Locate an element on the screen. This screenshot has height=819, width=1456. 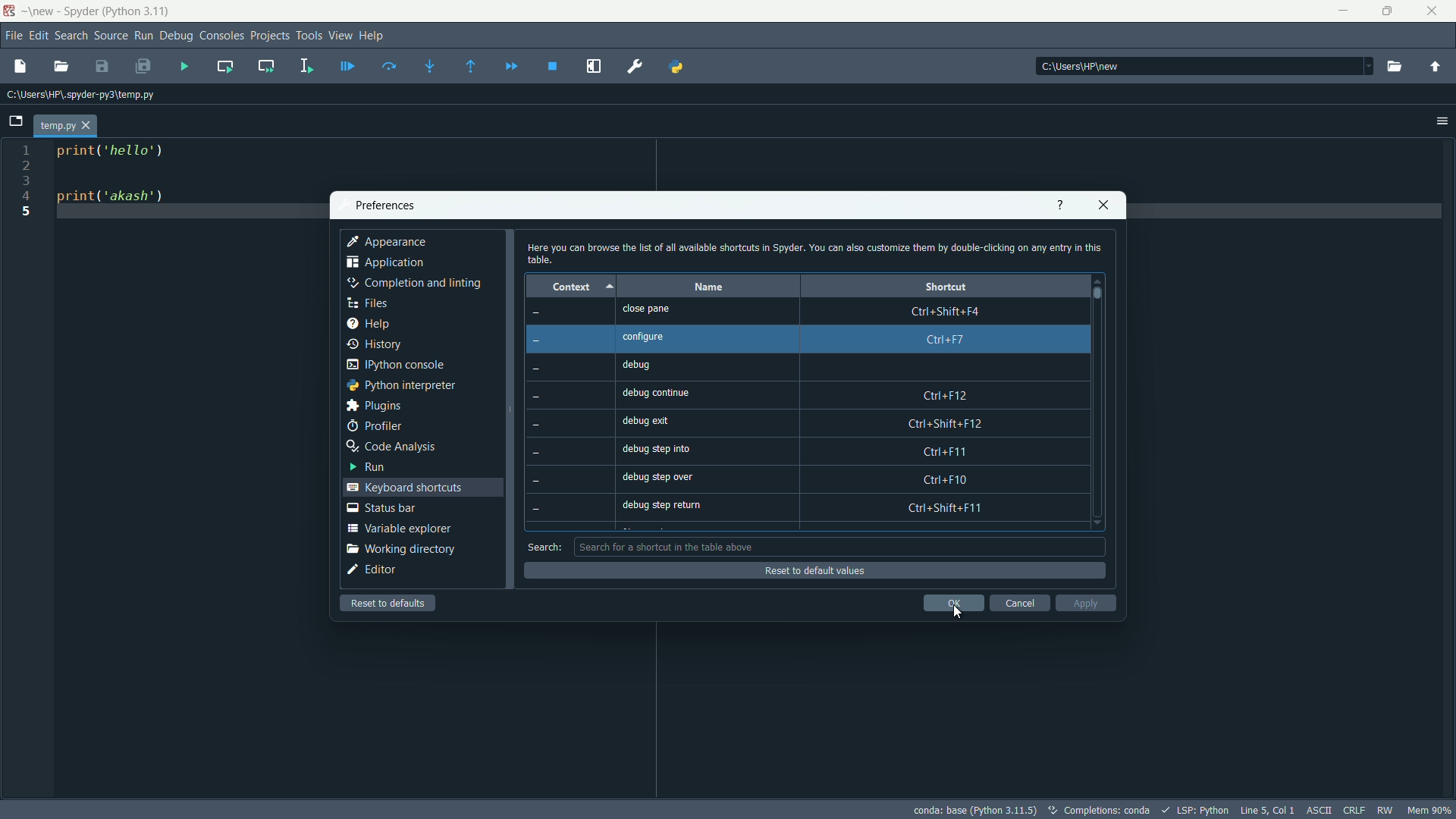
name is located at coordinates (708, 287).